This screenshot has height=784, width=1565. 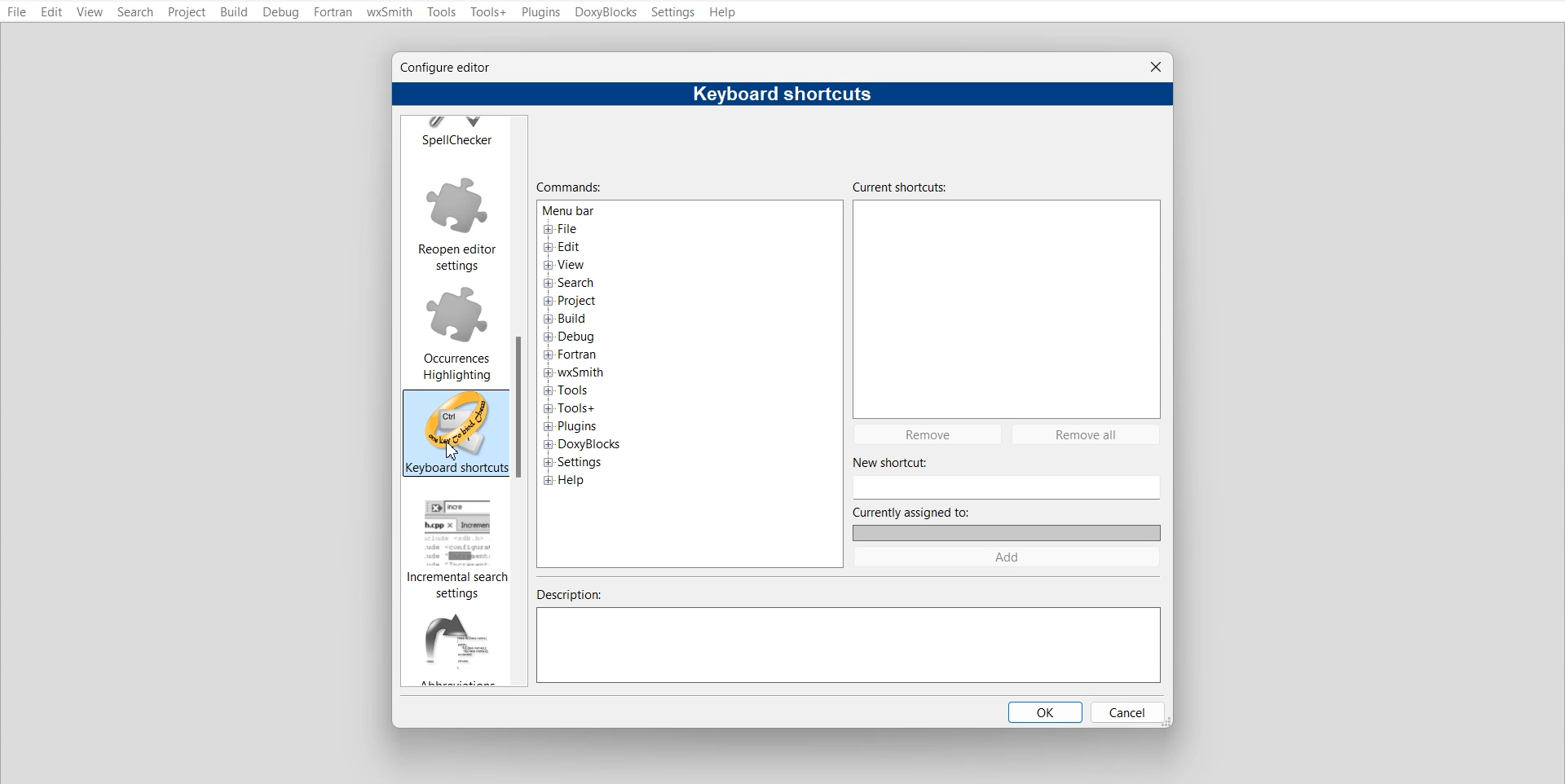 What do you see at coordinates (389, 11) in the screenshot?
I see `wxSmith` at bounding box center [389, 11].